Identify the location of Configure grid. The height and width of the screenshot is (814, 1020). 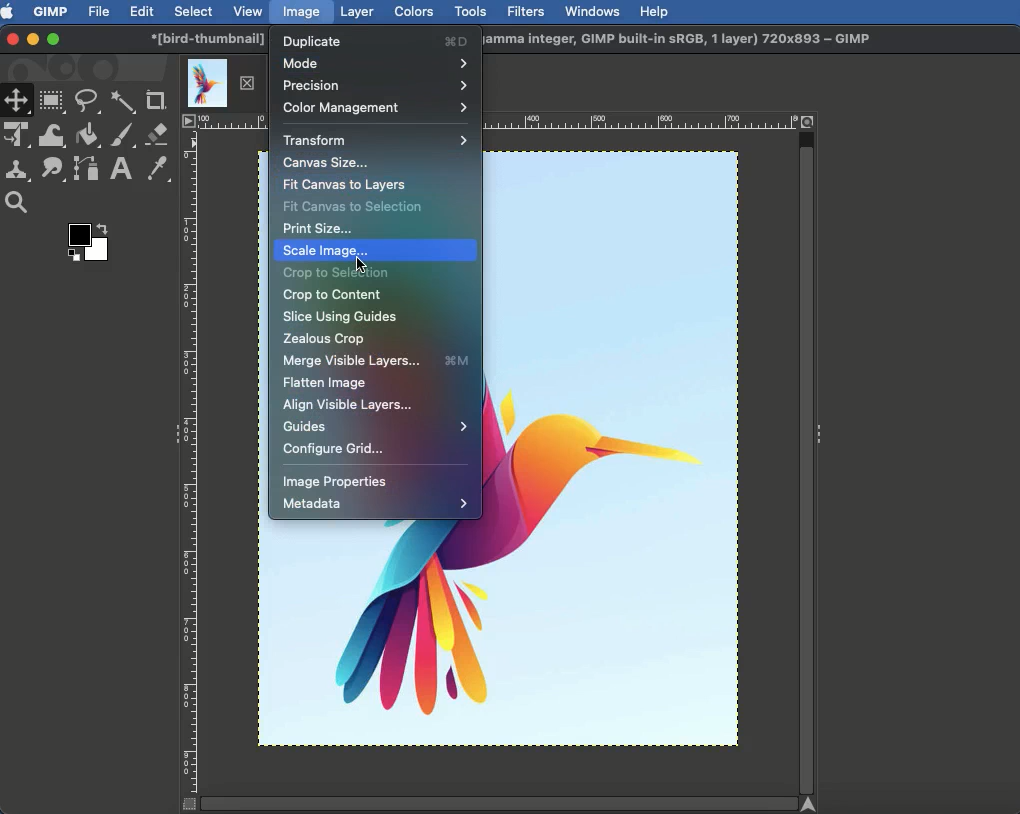
(336, 451).